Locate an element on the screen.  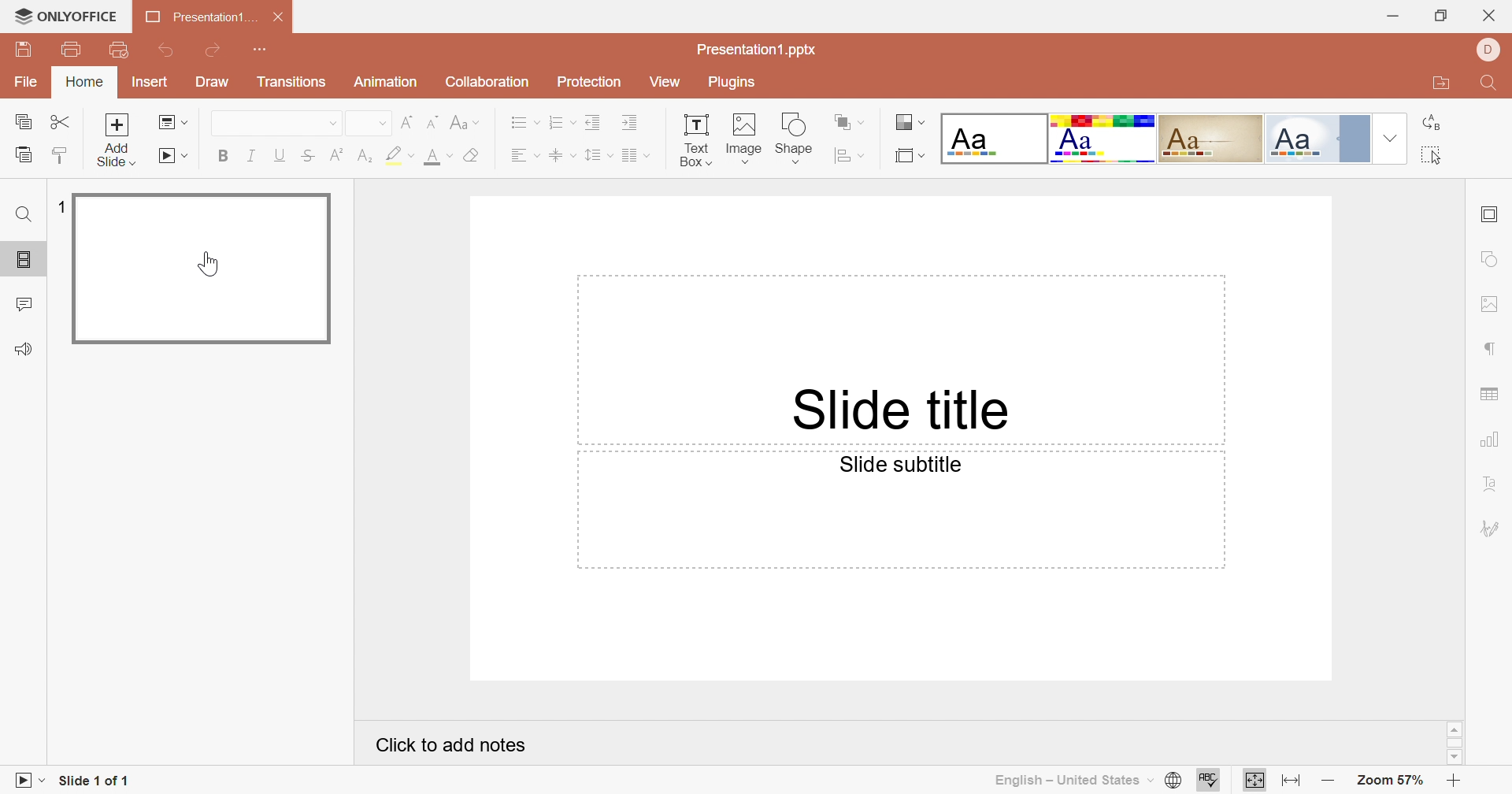
shape settings is located at coordinates (1491, 260).